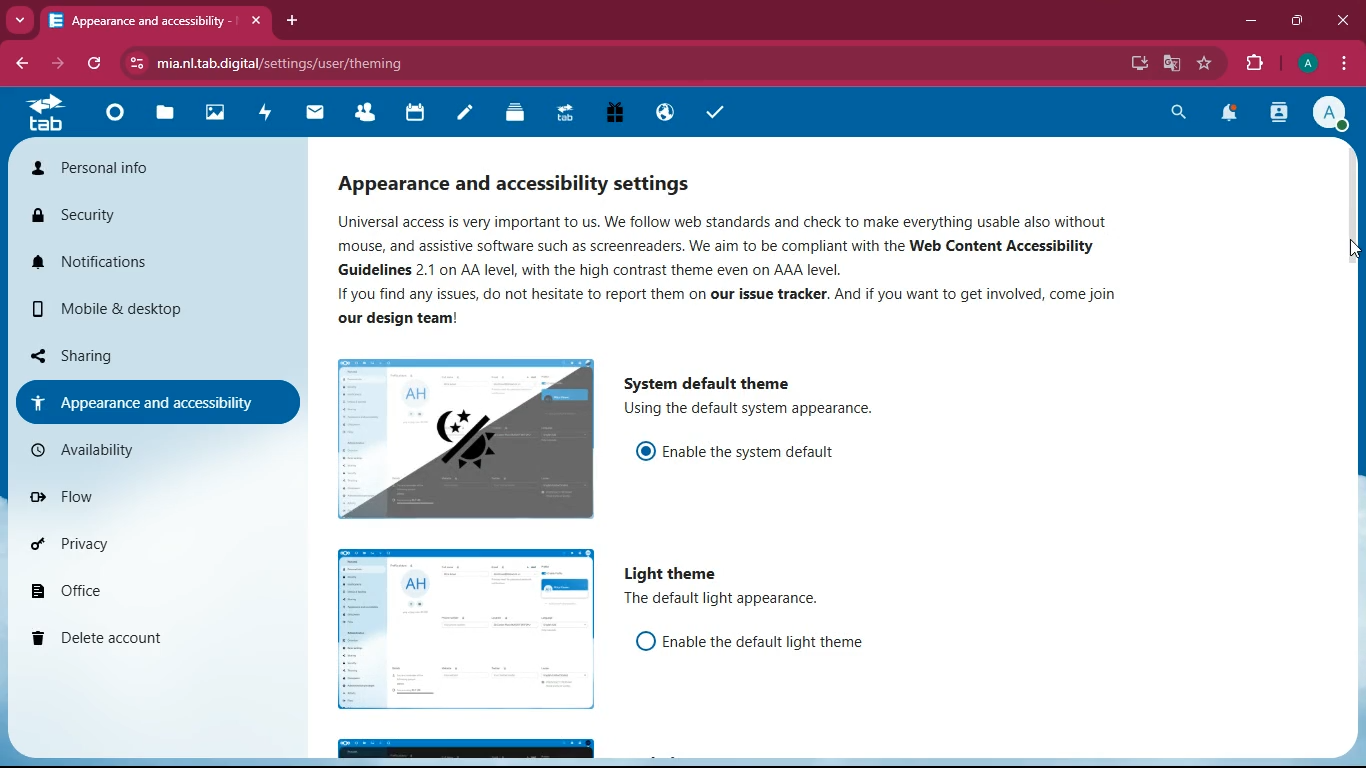 Image resolution: width=1366 pixels, height=768 pixels. Describe the element at coordinates (155, 454) in the screenshot. I see `availiability` at that location.